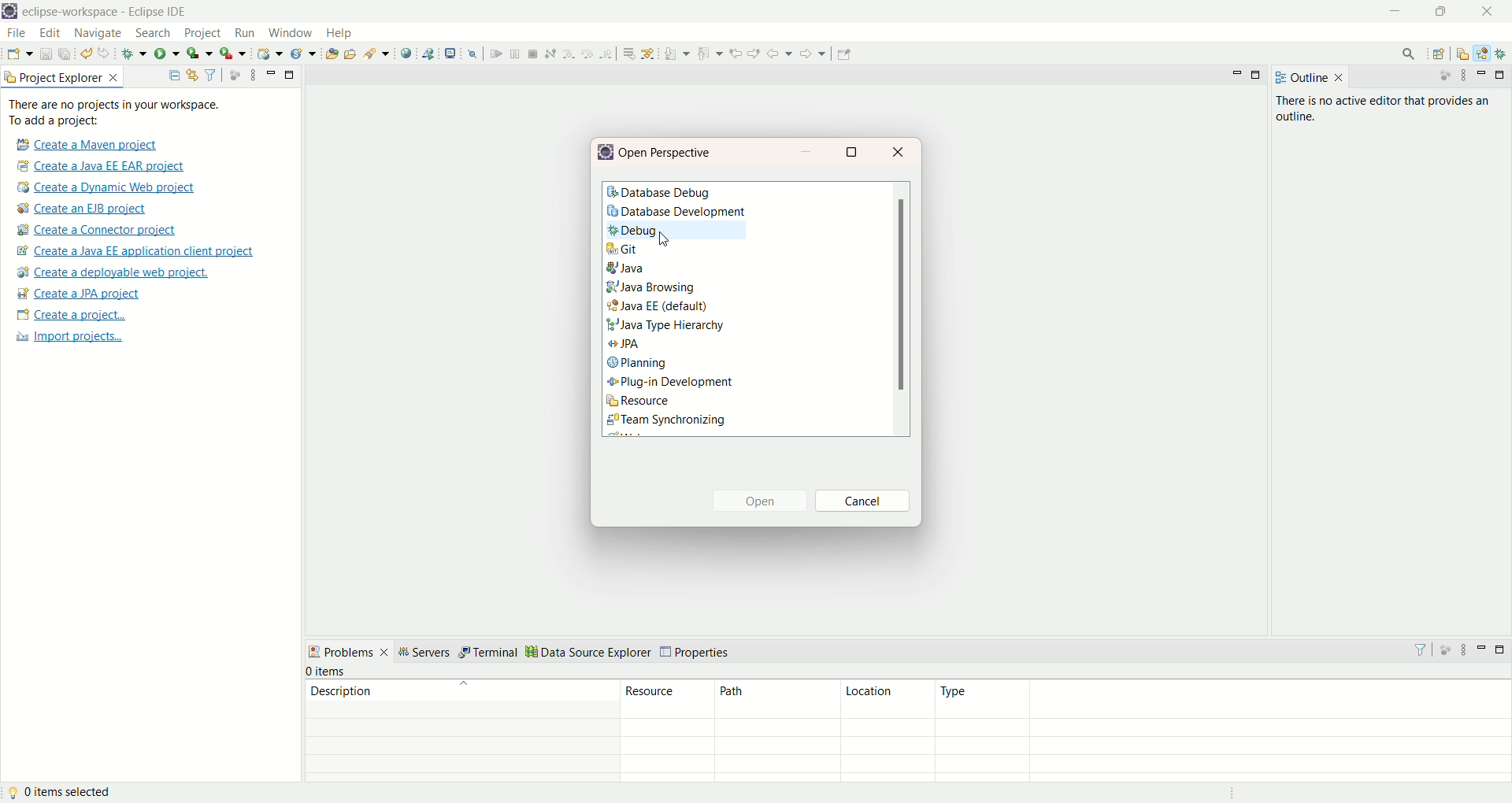 Image resolution: width=1512 pixels, height=803 pixels. I want to click on help, so click(340, 33).